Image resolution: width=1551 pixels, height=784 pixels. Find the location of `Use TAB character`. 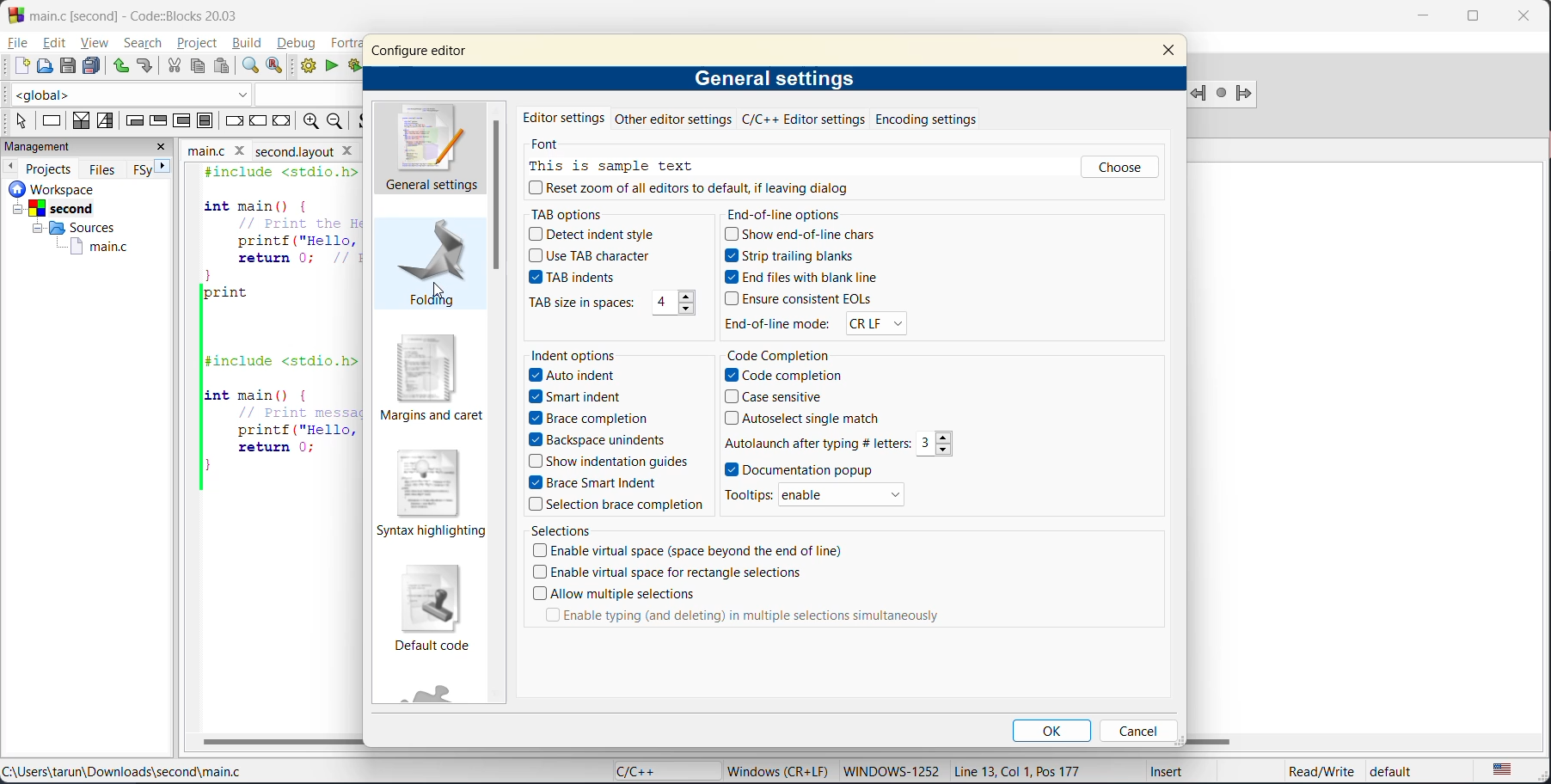

Use TAB character is located at coordinates (593, 255).